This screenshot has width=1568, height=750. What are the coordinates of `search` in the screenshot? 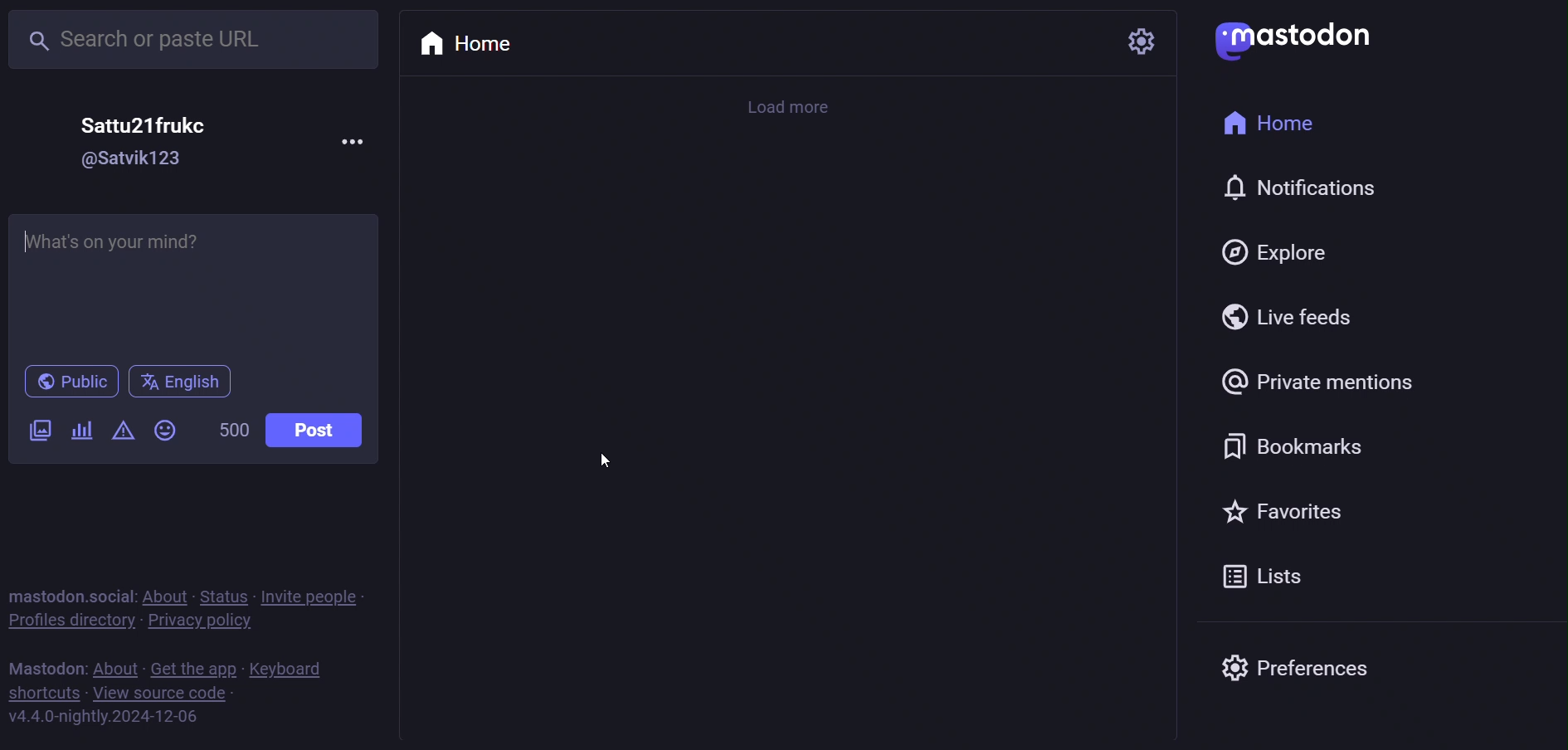 It's located at (196, 41).